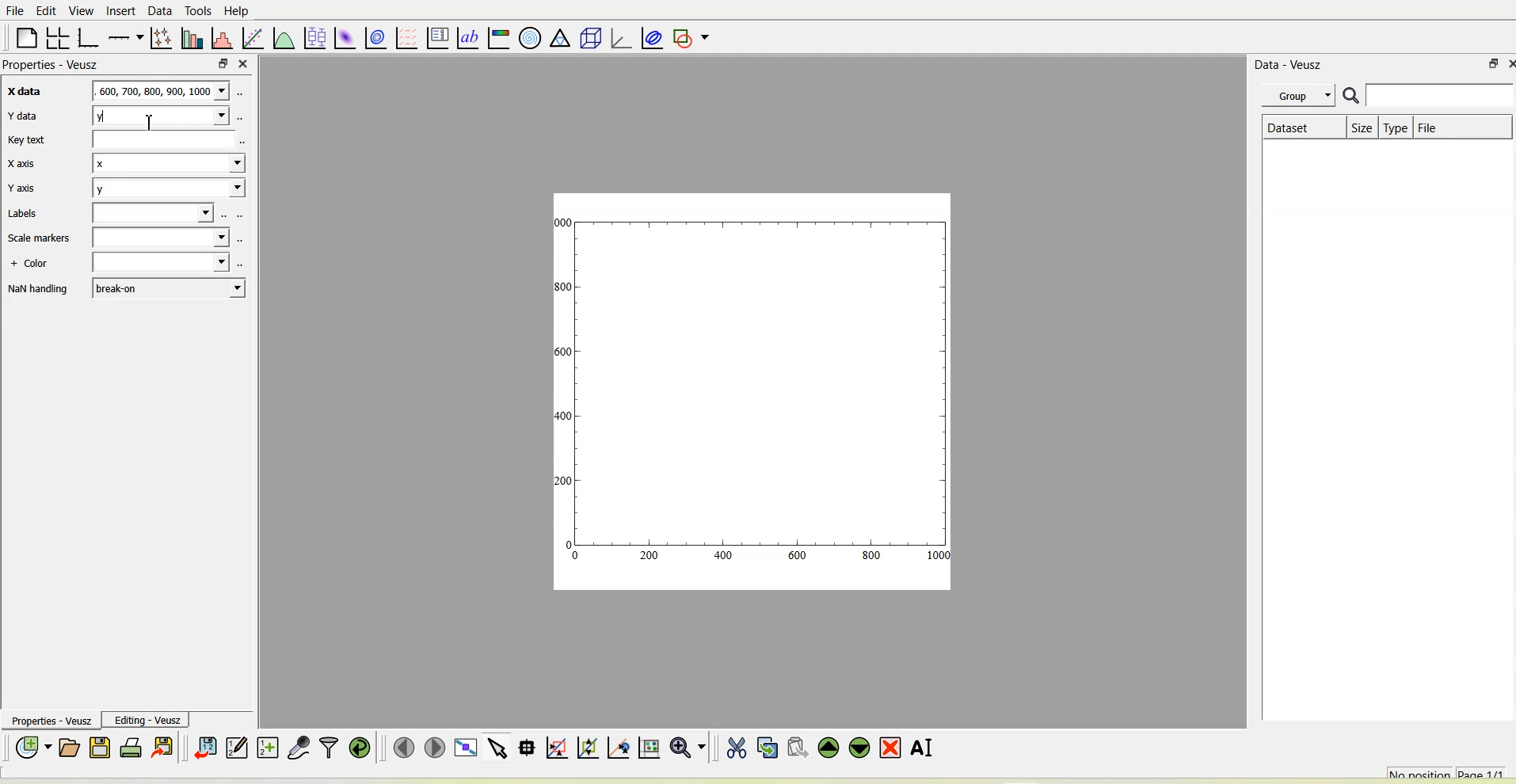 The width and height of the screenshot is (1516, 784). What do you see at coordinates (38, 289) in the screenshot?
I see `NaN handling` at bounding box center [38, 289].